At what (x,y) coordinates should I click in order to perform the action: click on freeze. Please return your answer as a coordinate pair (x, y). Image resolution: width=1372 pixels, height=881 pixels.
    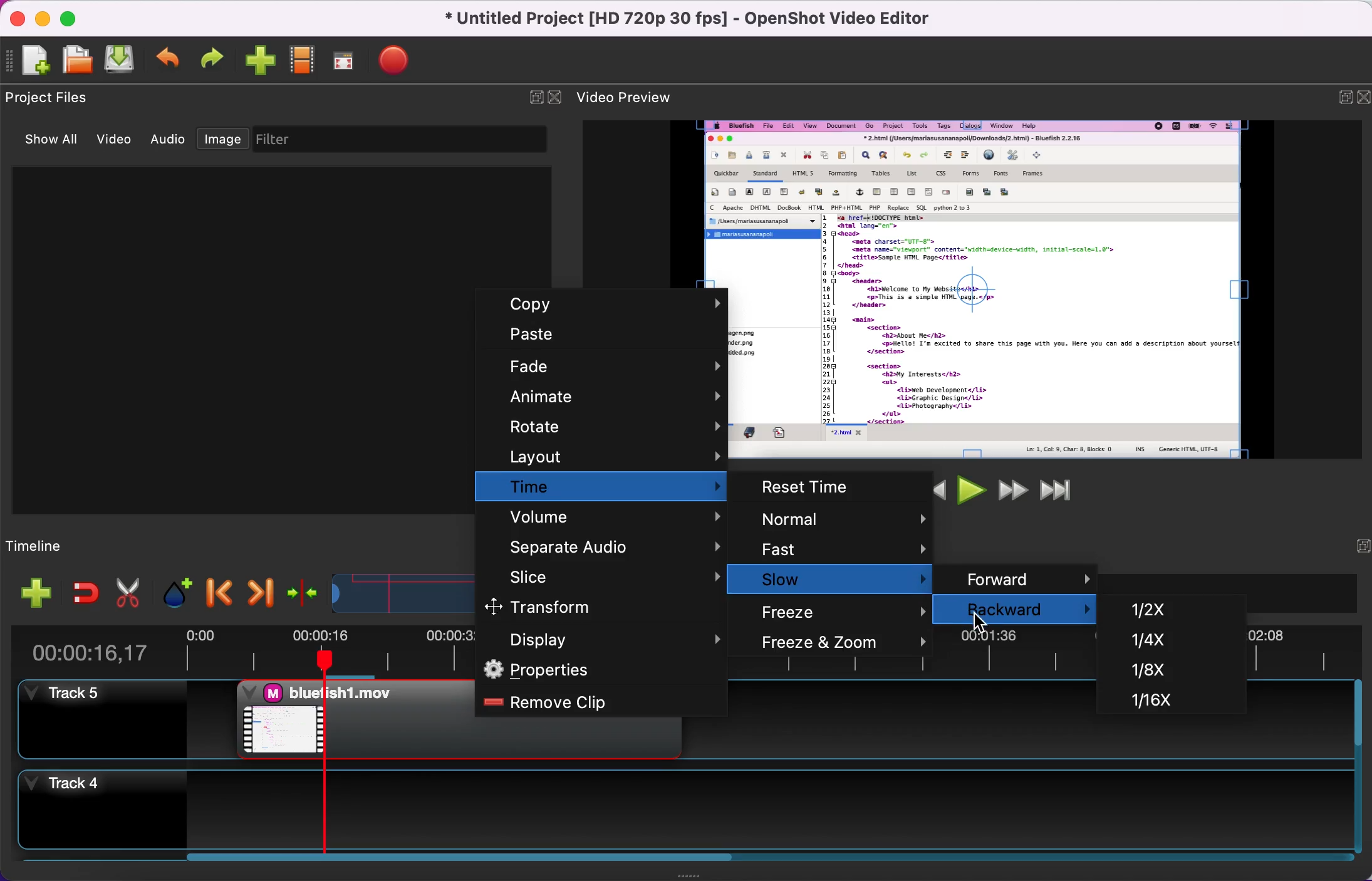
    Looking at the image, I should click on (846, 610).